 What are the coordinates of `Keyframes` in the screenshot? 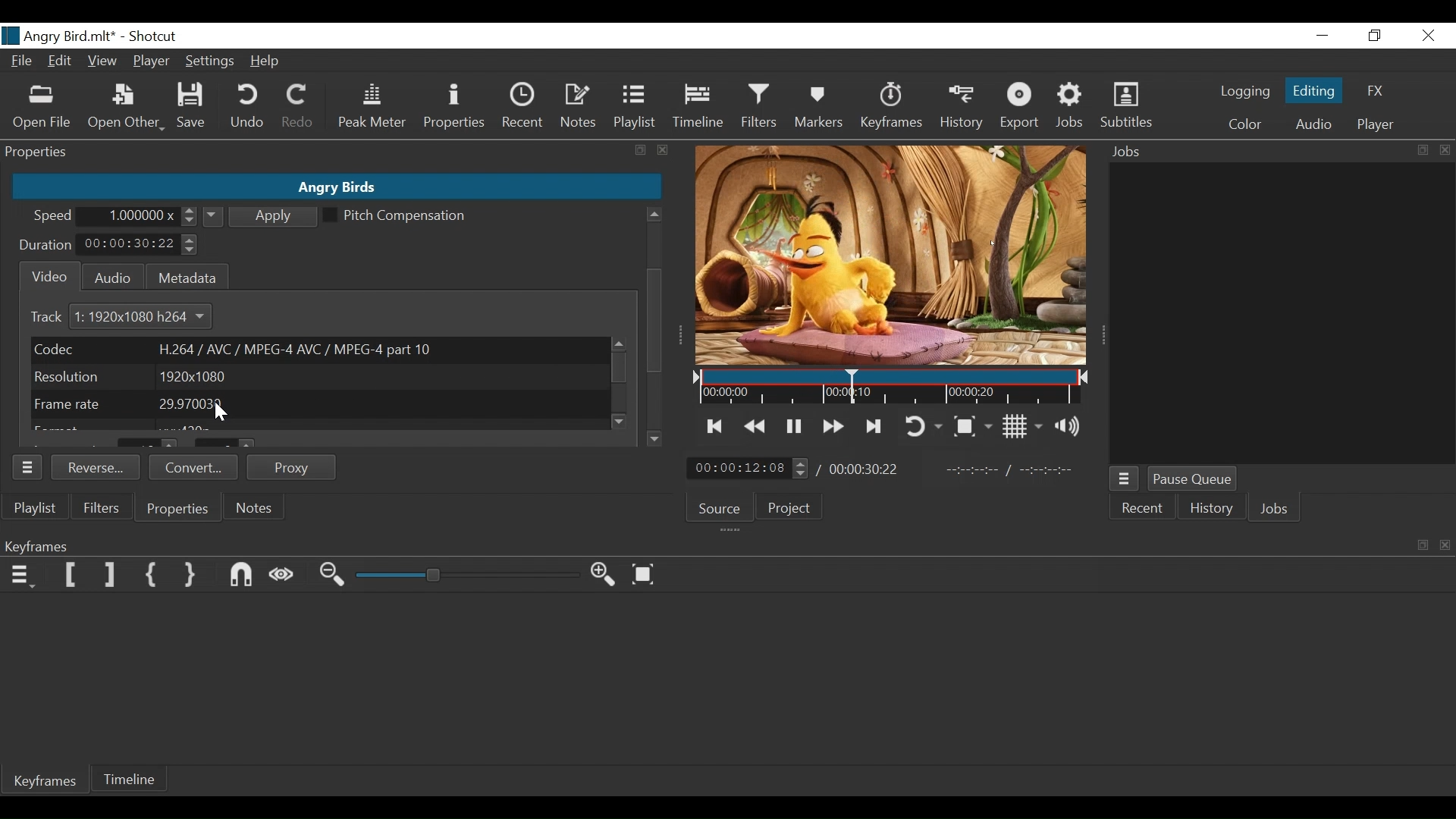 It's located at (47, 783).